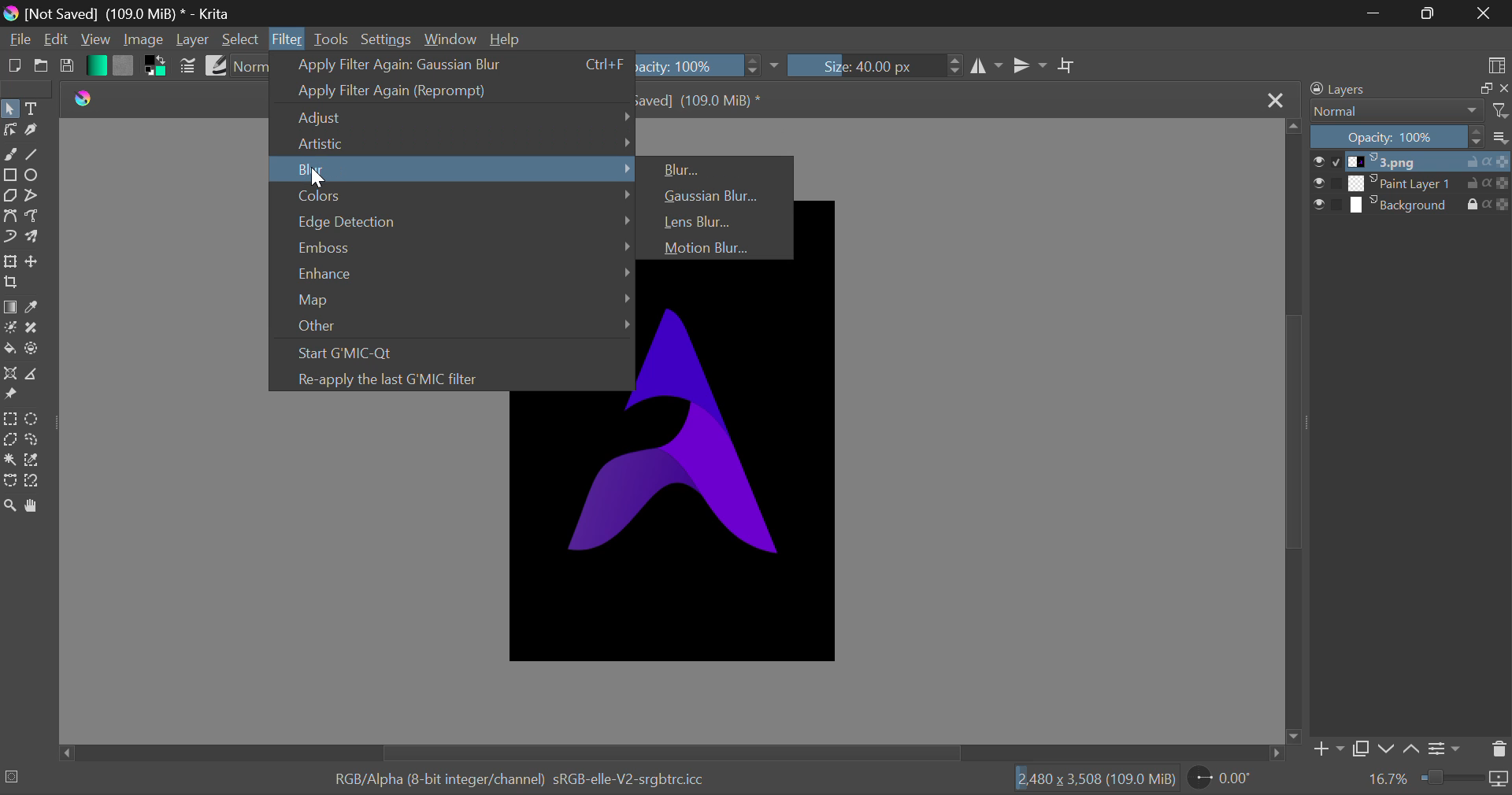  What do you see at coordinates (1413, 183) in the screenshot?
I see `Paint Layer 1` at bounding box center [1413, 183].